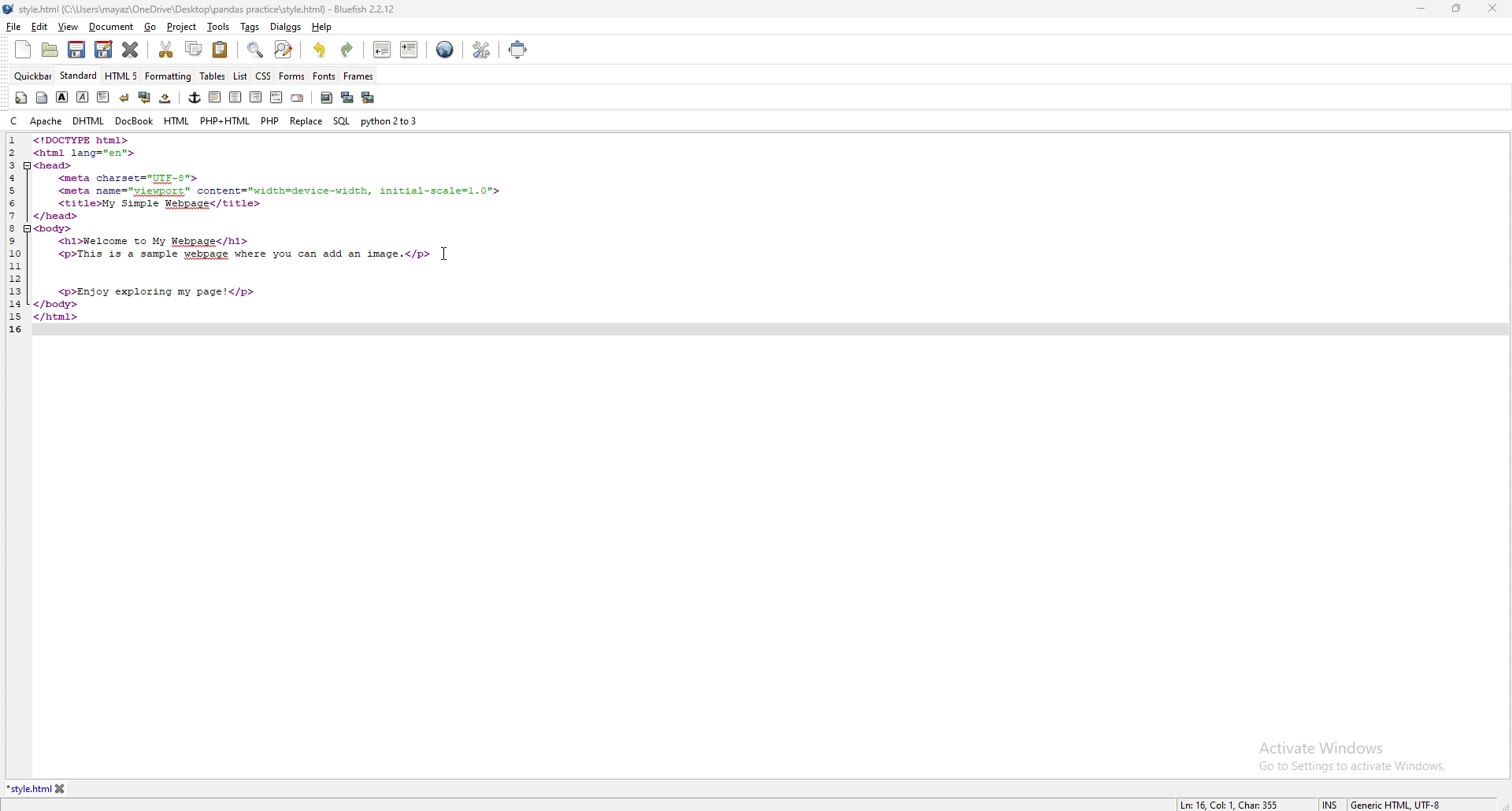 Image resolution: width=1512 pixels, height=811 pixels. What do you see at coordinates (226, 121) in the screenshot?
I see `php+html` at bounding box center [226, 121].